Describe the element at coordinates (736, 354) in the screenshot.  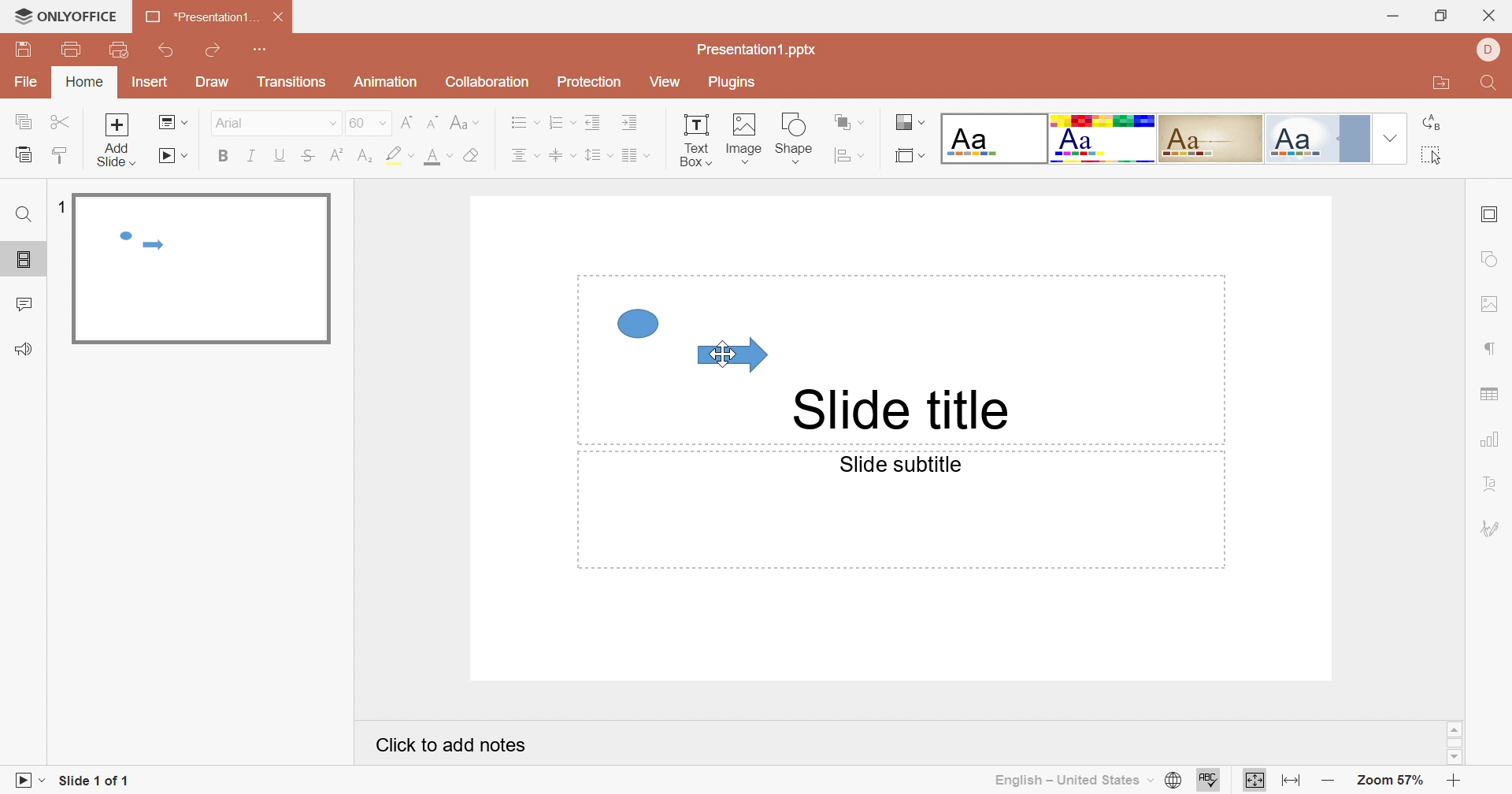
I see `Arrow` at that location.